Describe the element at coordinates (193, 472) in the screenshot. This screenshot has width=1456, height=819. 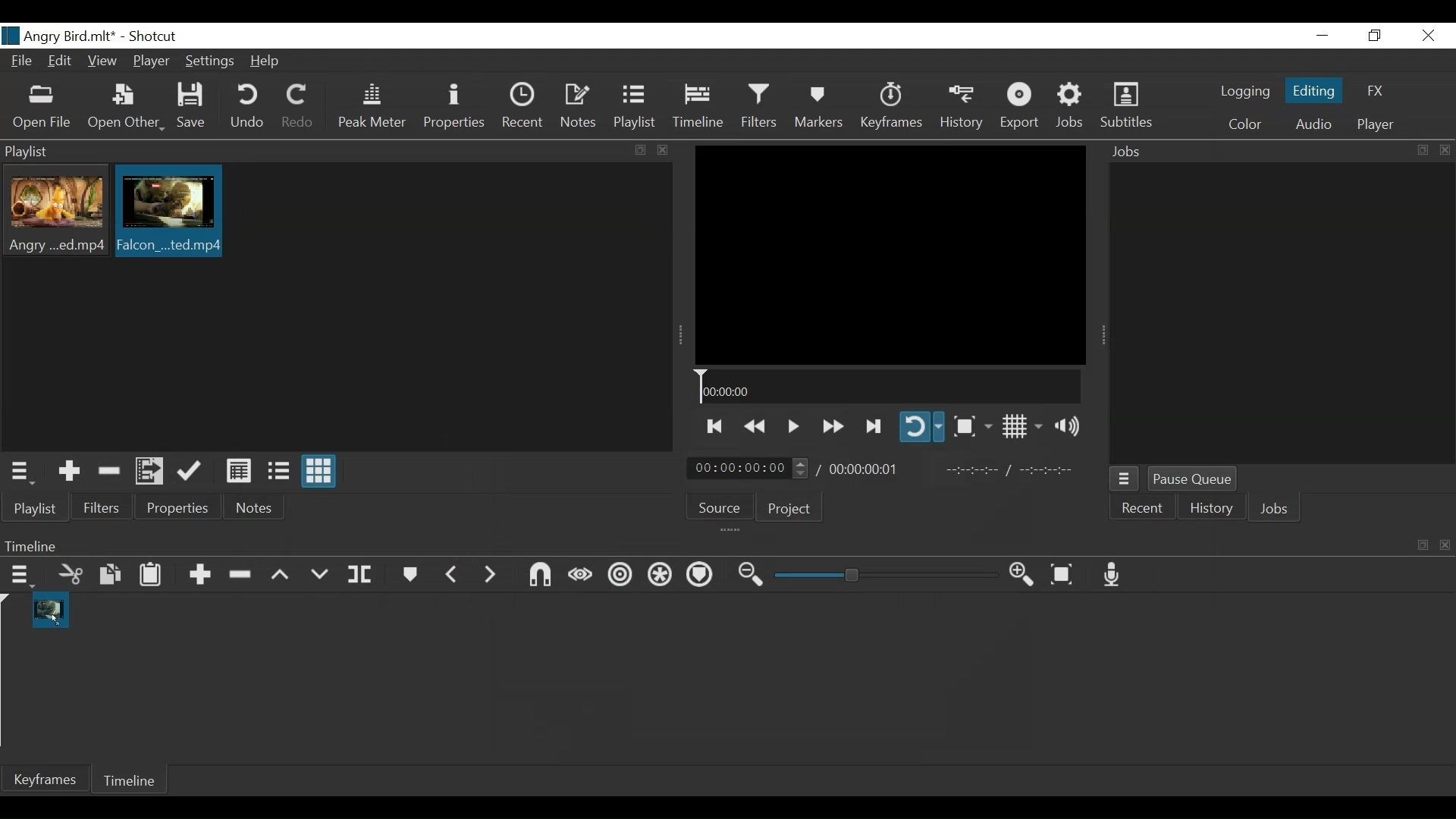
I see `Update` at that location.